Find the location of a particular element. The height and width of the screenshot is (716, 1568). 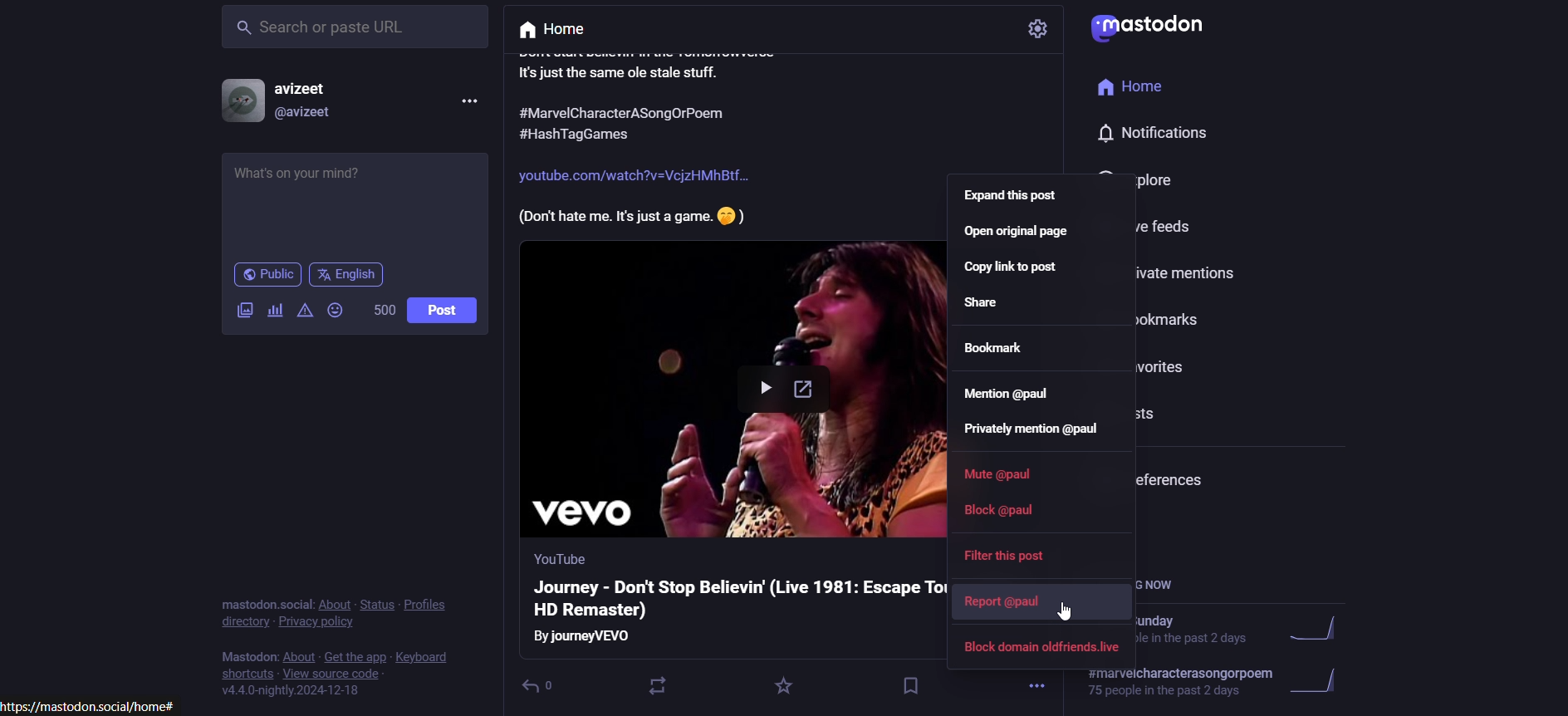

view source code is located at coordinates (364, 674).